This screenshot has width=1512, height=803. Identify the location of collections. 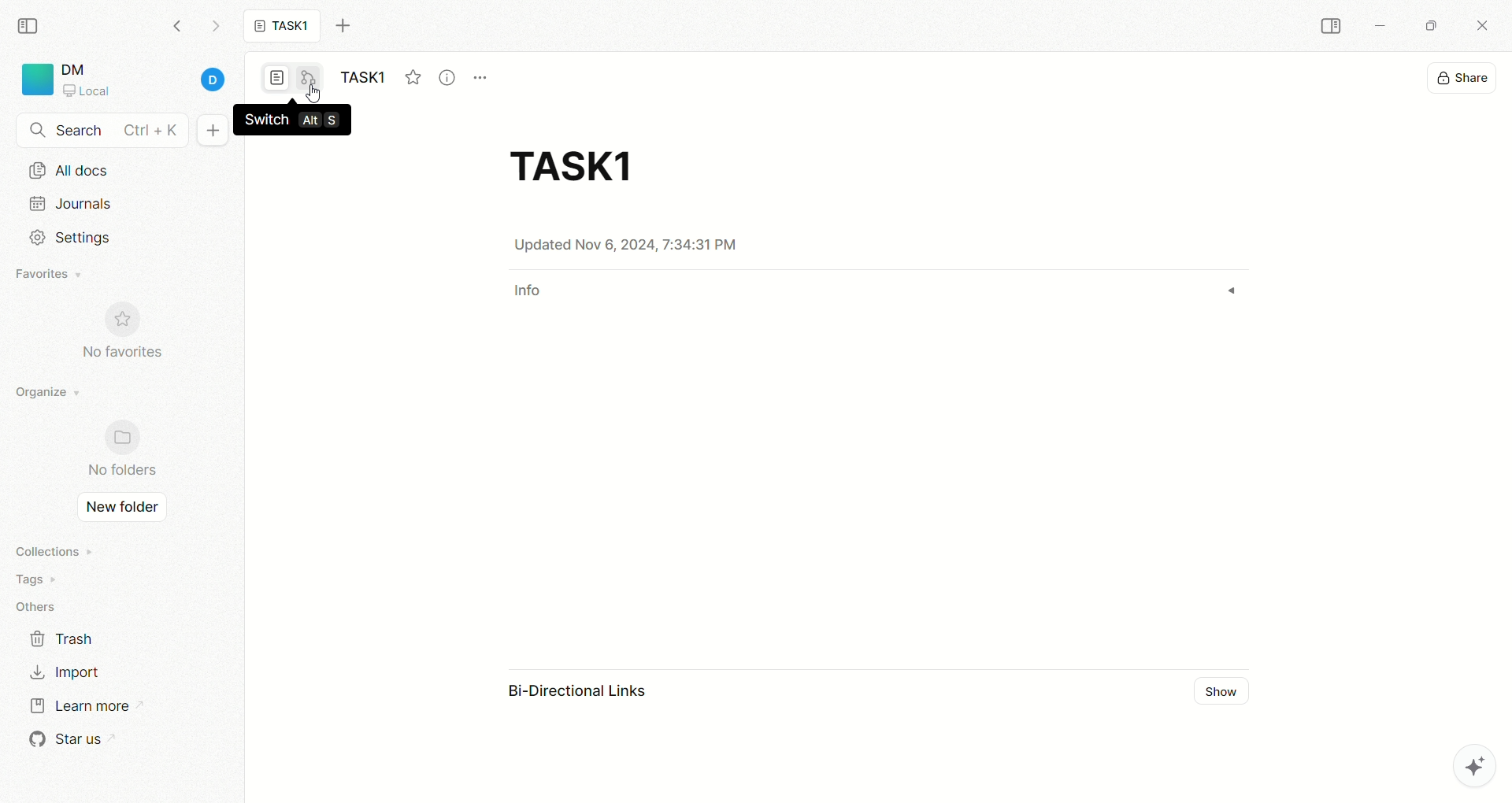
(51, 551).